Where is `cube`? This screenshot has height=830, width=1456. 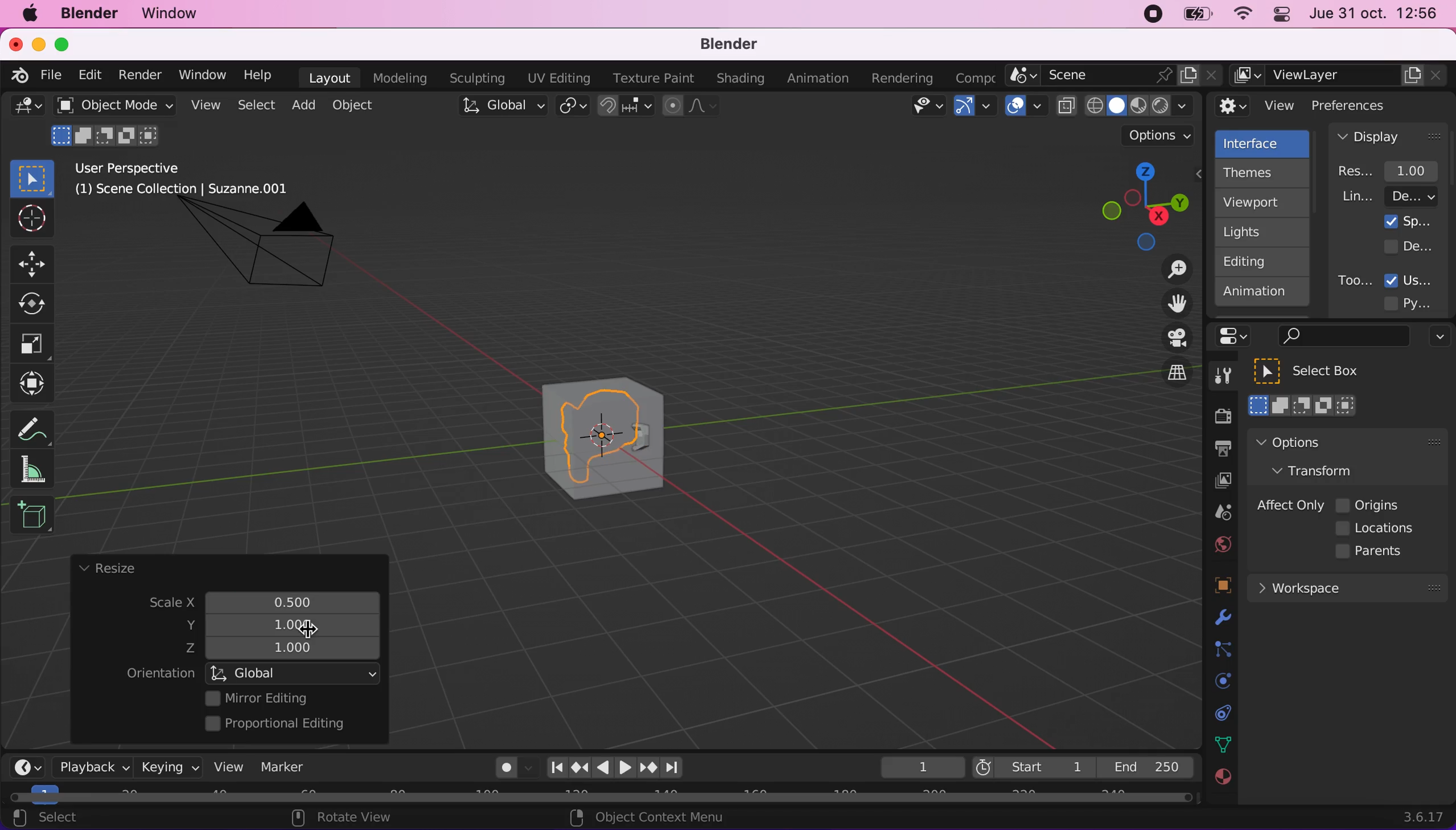
cube is located at coordinates (605, 433).